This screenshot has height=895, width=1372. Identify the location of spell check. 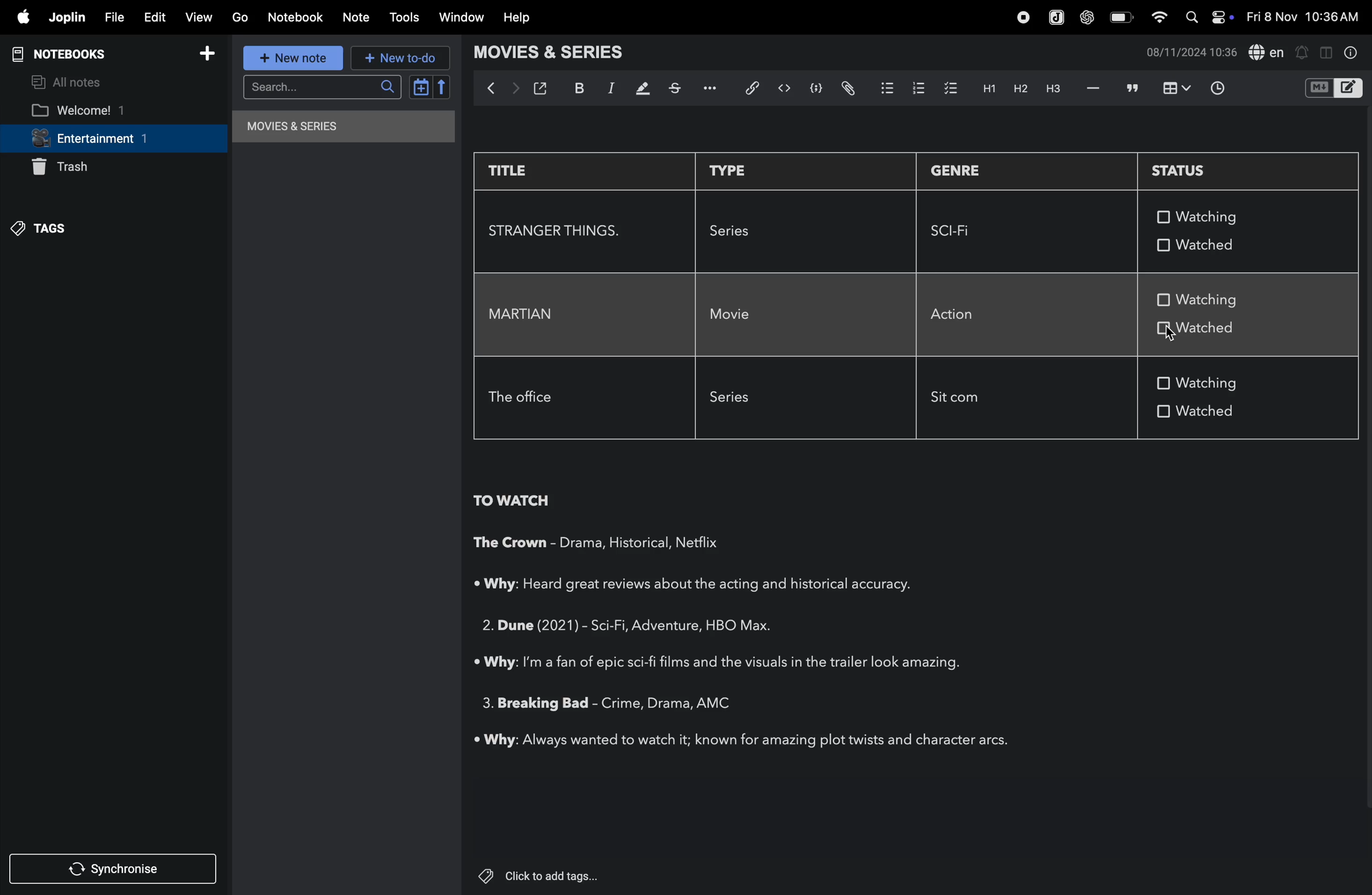
(1269, 51).